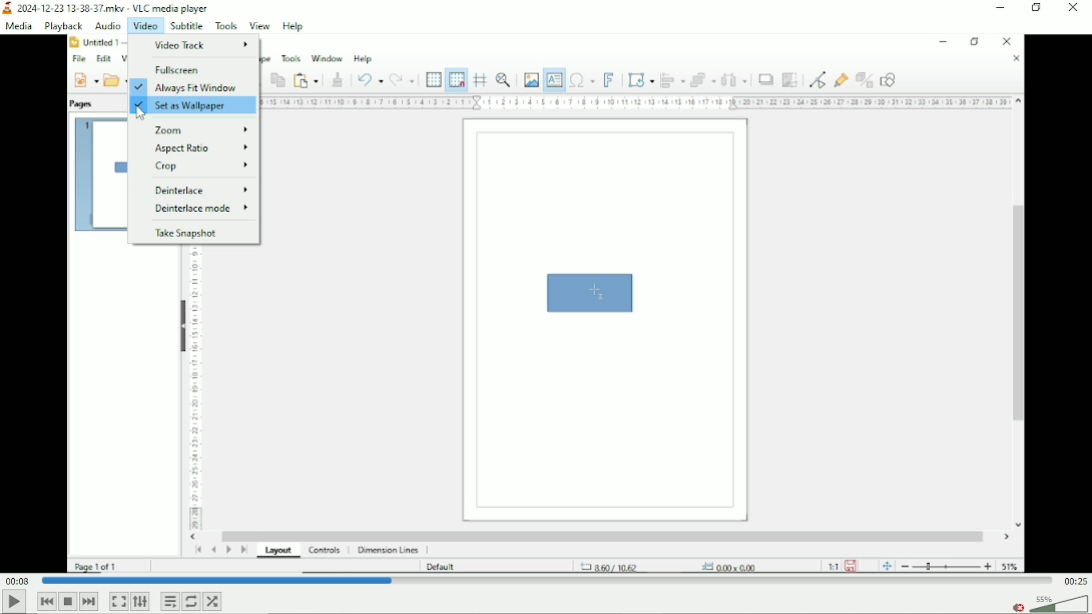  I want to click on Play duration, so click(545, 581).